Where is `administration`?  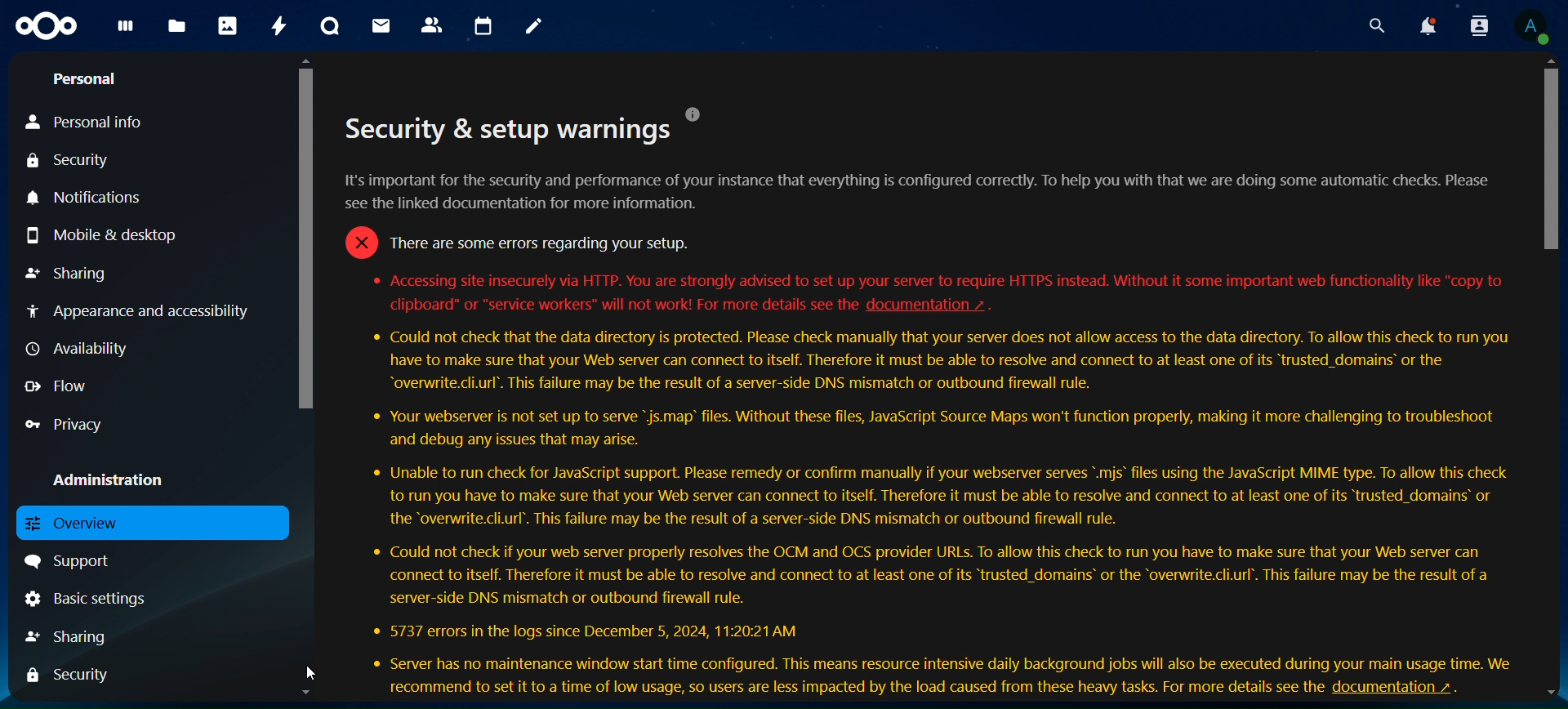 administration is located at coordinates (111, 478).